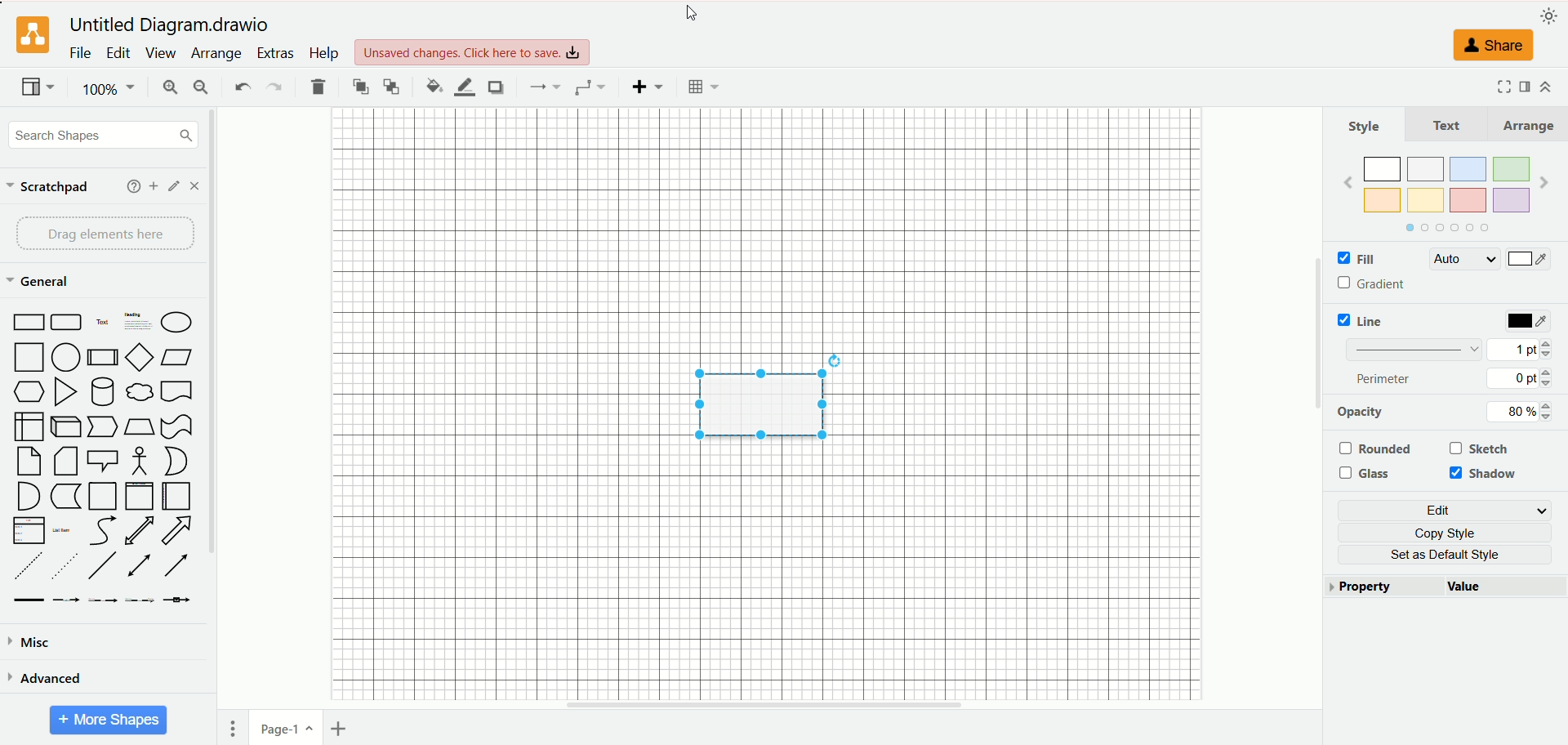  I want to click on fullscreen, so click(1501, 86).